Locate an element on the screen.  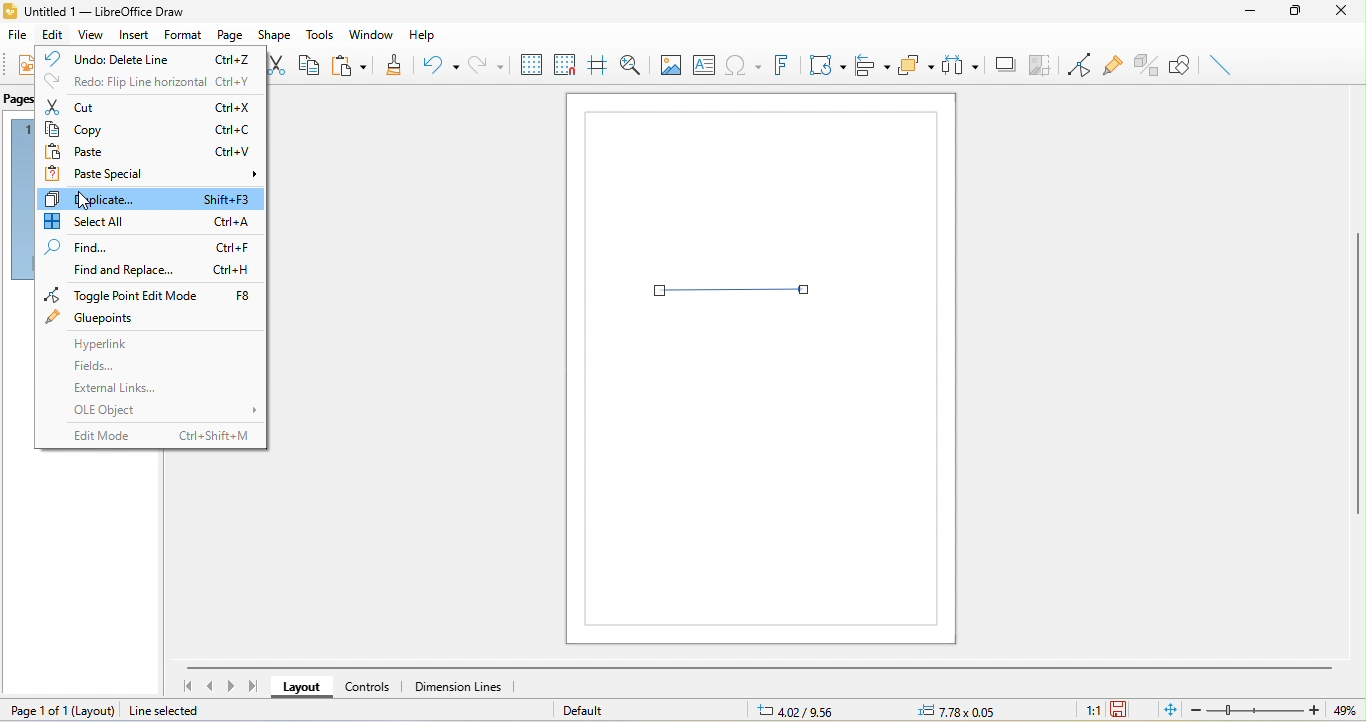
page is located at coordinates (231, 33).